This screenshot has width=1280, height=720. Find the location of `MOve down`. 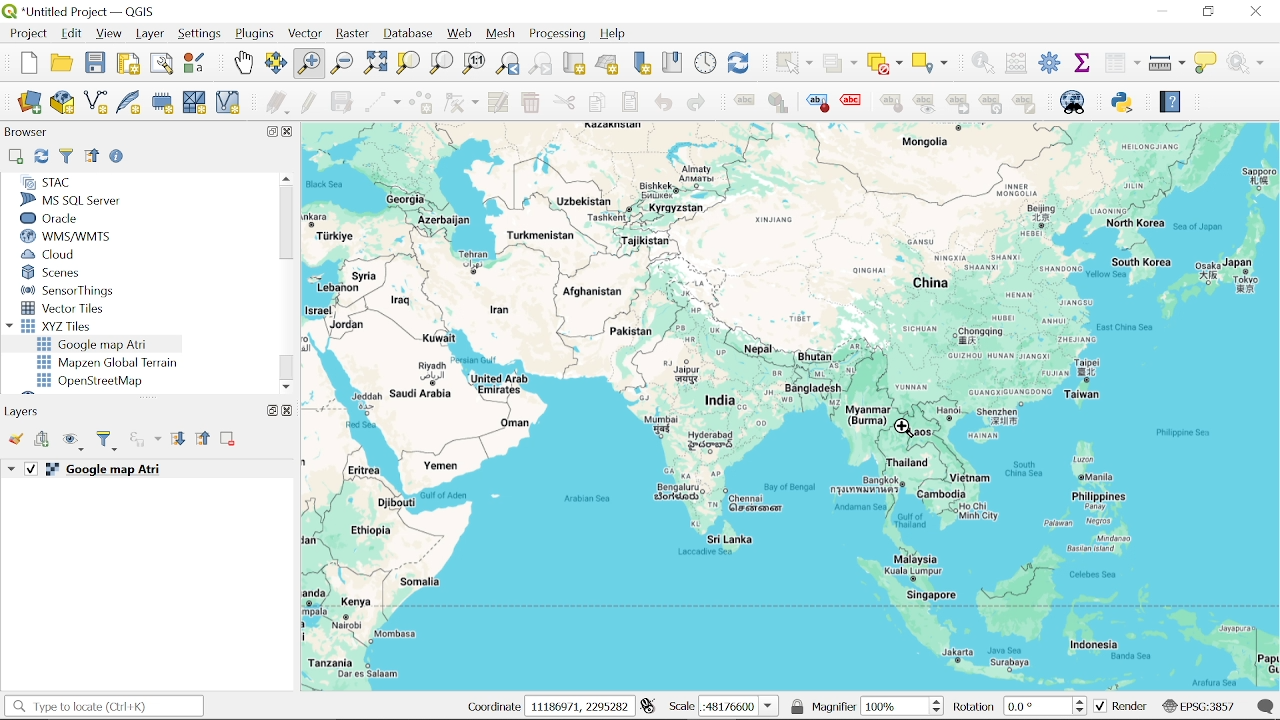

MOve down is located at coordinates (287, 384).